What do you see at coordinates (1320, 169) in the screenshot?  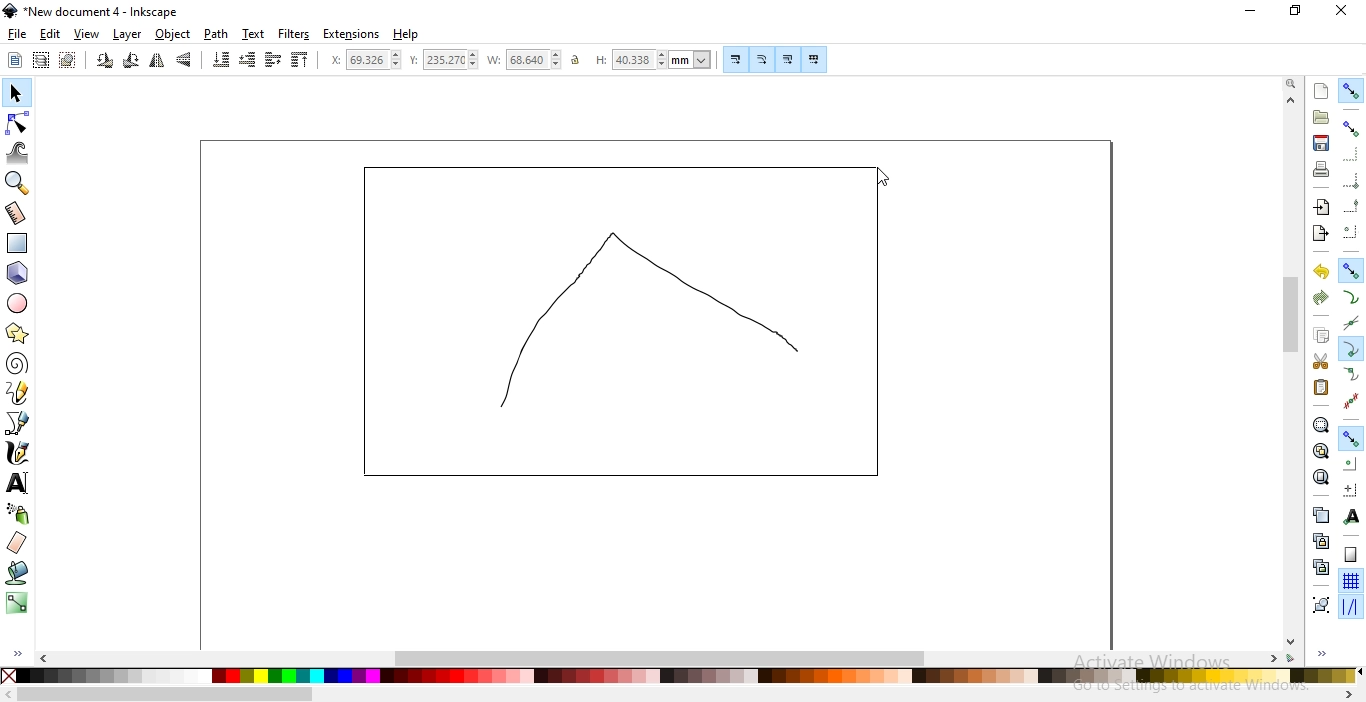 I see `print document` at bounding box center [1320, 169].